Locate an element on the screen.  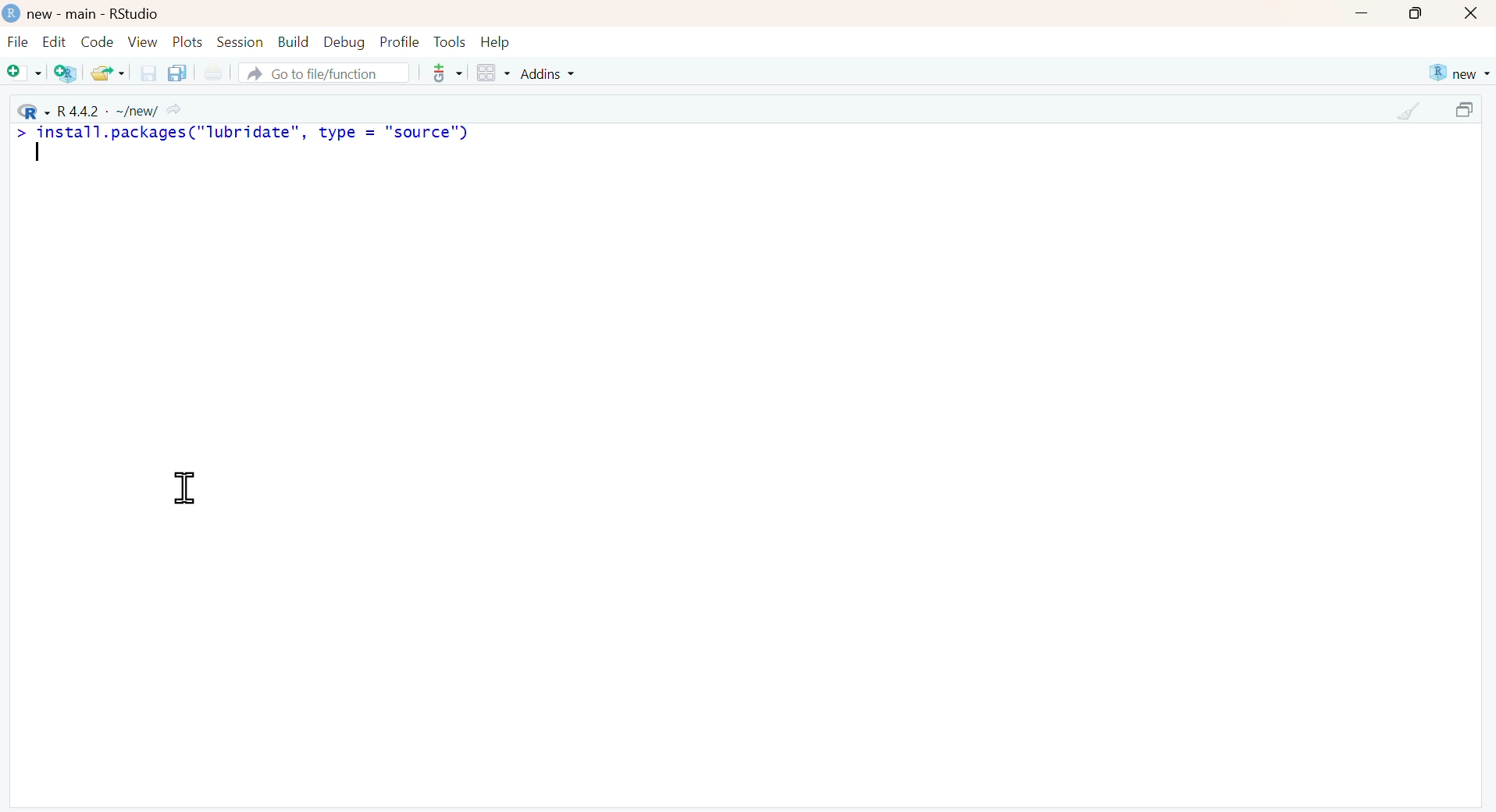
maximize is located at coordinates (1468, 112).